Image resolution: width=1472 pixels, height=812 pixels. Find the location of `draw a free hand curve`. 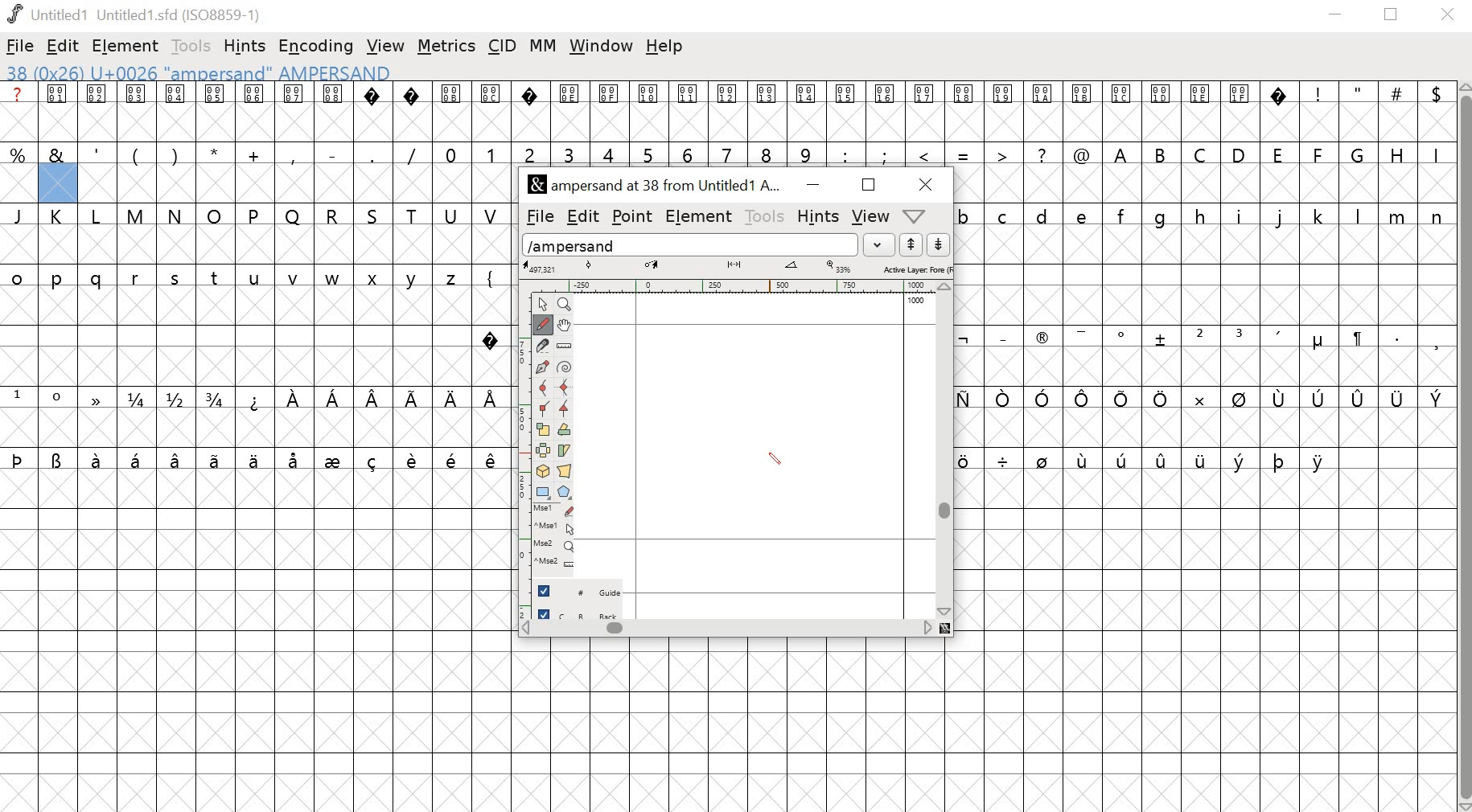

draw a free hand curve is located at coordinates (541, 324).